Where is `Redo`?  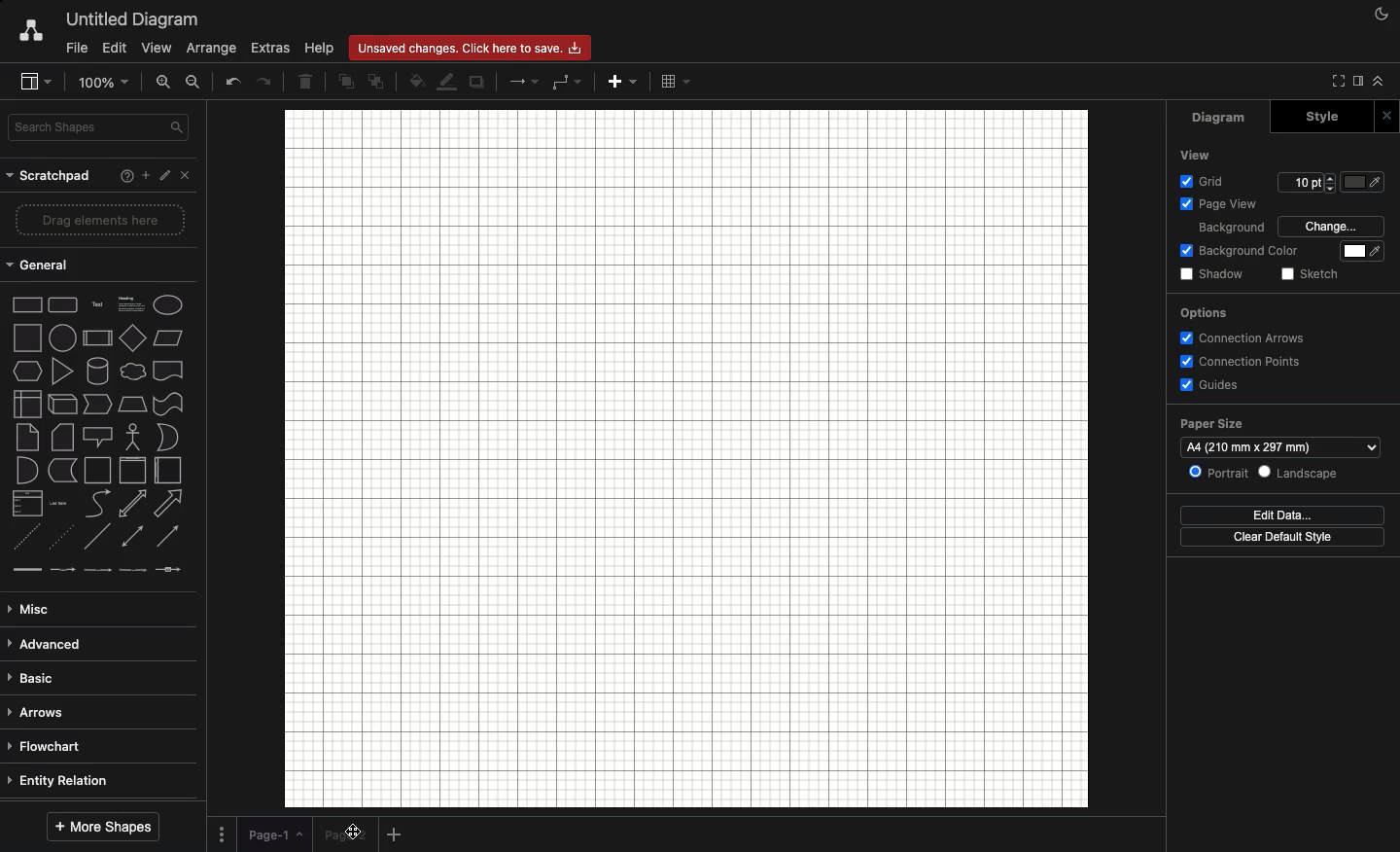
Redo is located at coordinates (262, 82).